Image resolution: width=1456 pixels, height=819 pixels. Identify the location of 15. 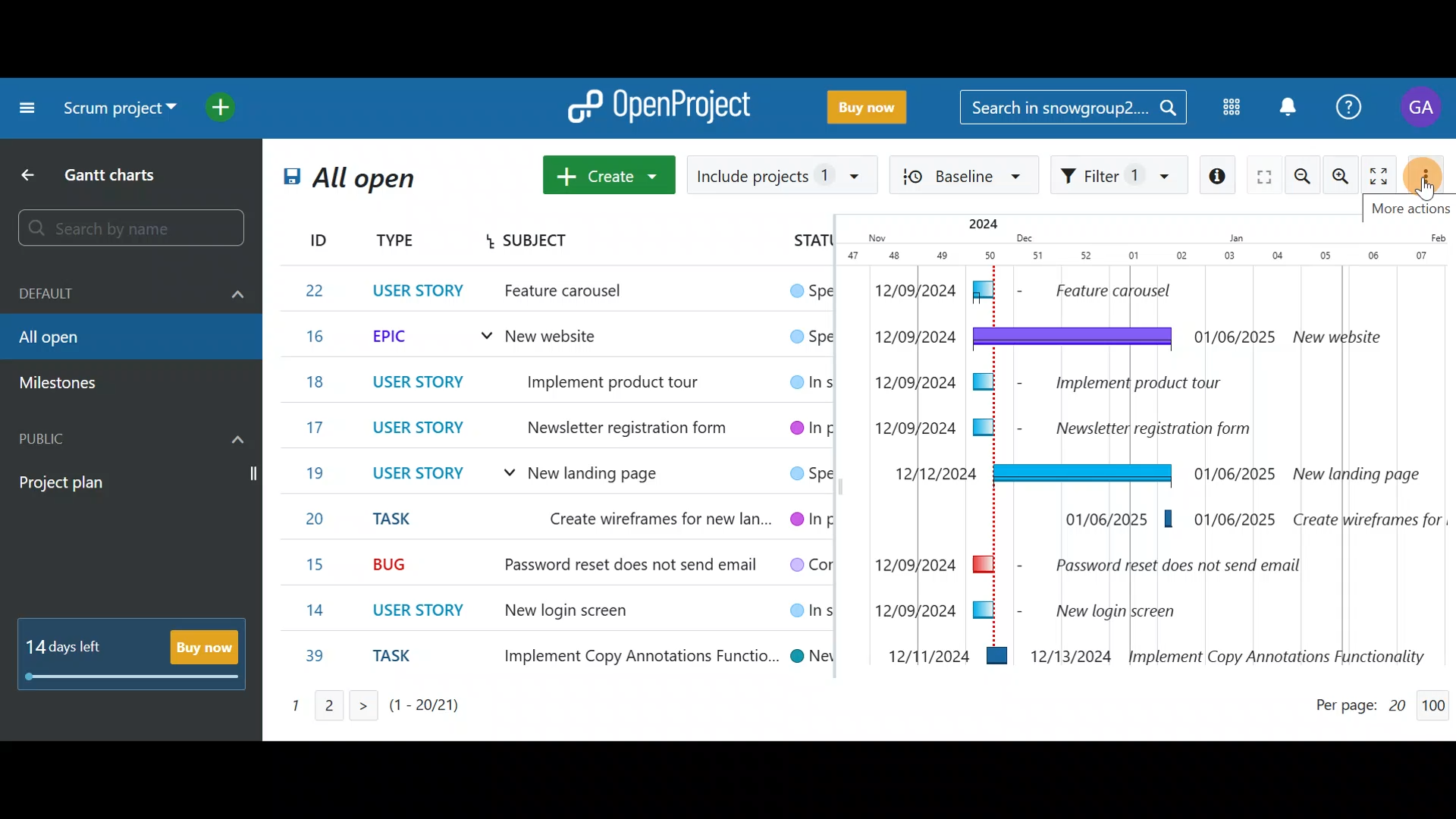
(317, 566).